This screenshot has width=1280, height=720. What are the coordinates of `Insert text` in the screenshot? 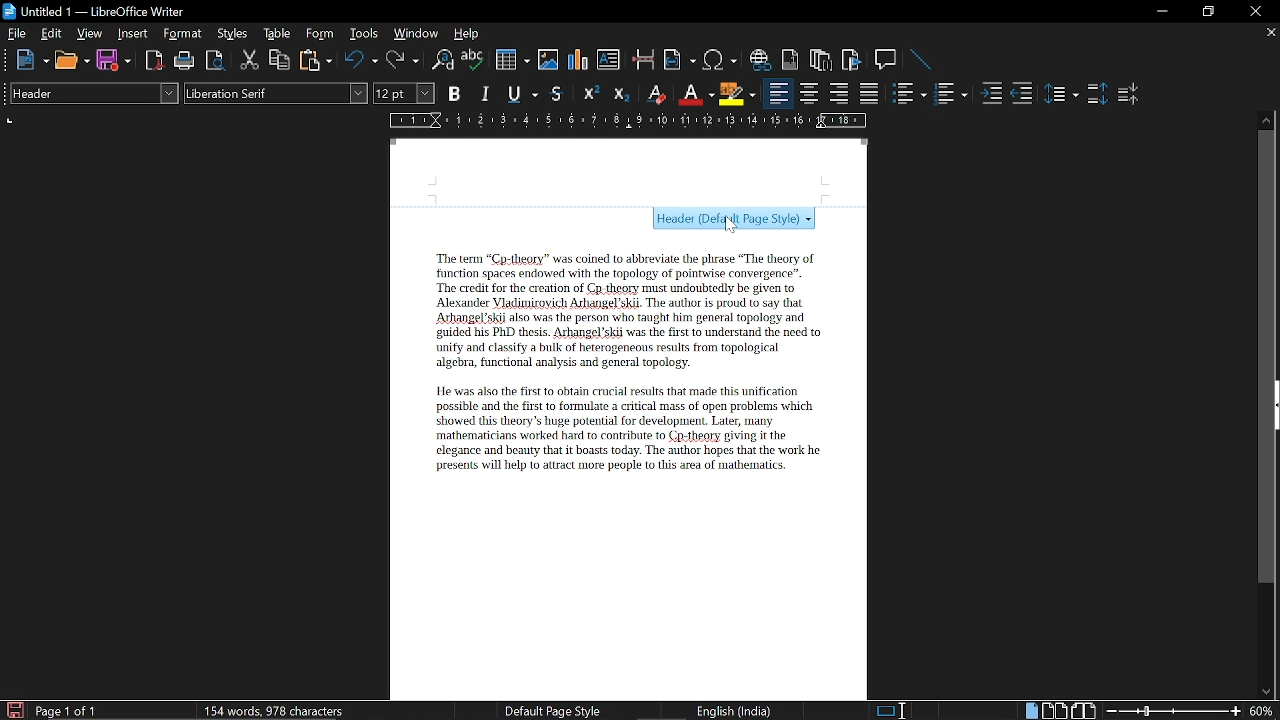 It's located at (608, 59).